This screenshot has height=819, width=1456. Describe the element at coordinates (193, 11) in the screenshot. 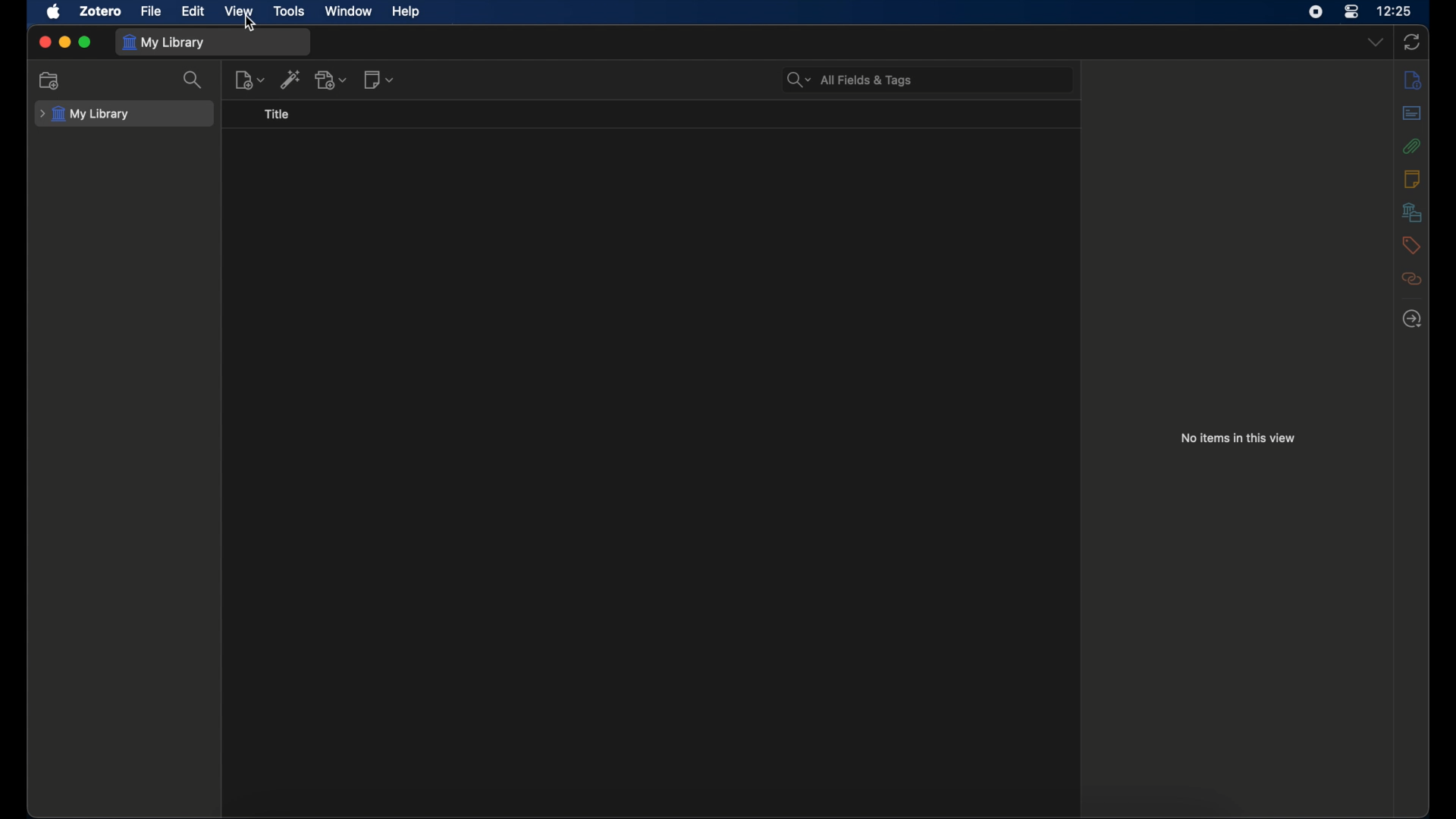

I see `edit` at that location.